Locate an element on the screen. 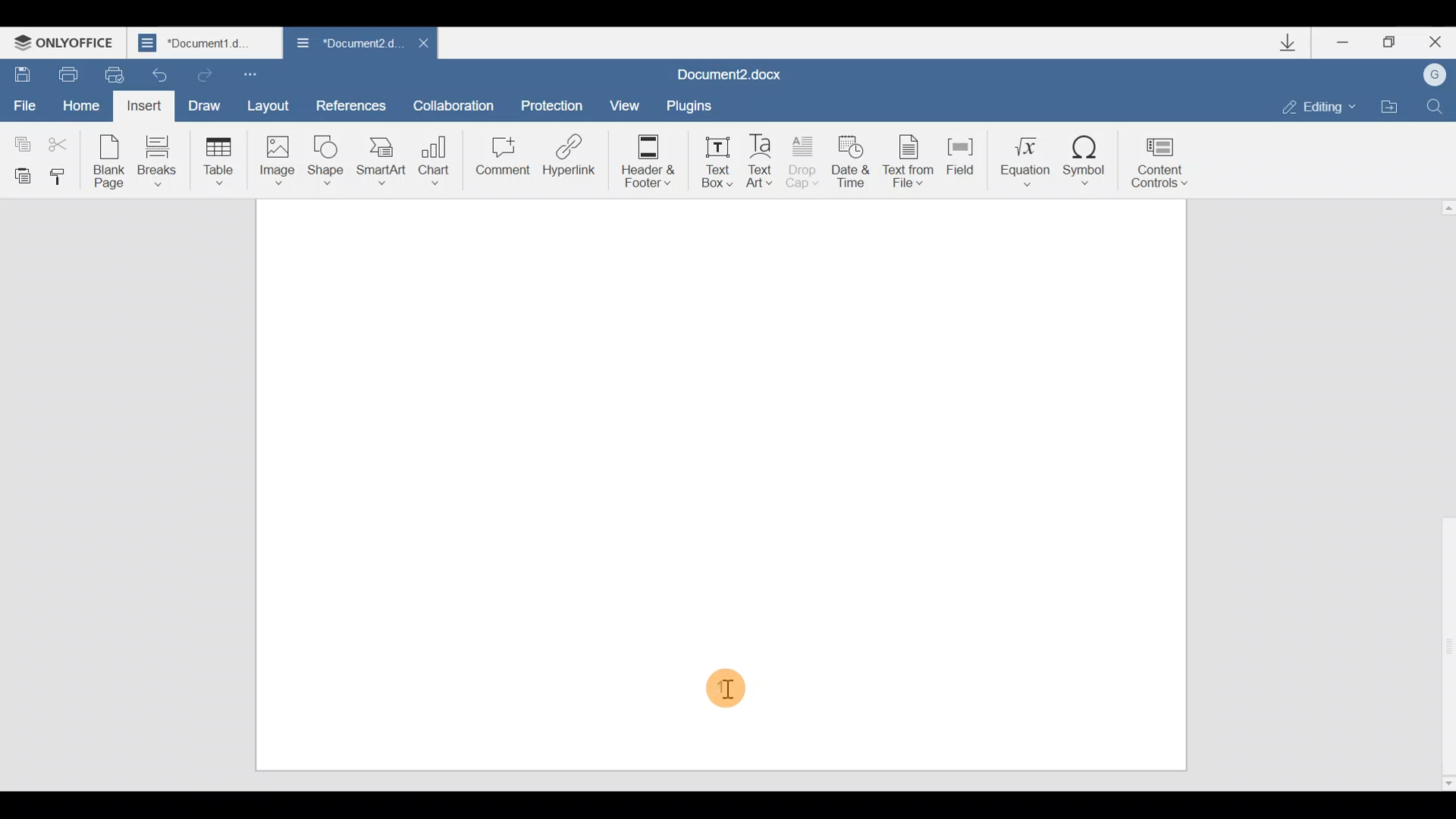 This screenshot has width=1456, height=819. Header & footer is located at coordinates (643, 160).